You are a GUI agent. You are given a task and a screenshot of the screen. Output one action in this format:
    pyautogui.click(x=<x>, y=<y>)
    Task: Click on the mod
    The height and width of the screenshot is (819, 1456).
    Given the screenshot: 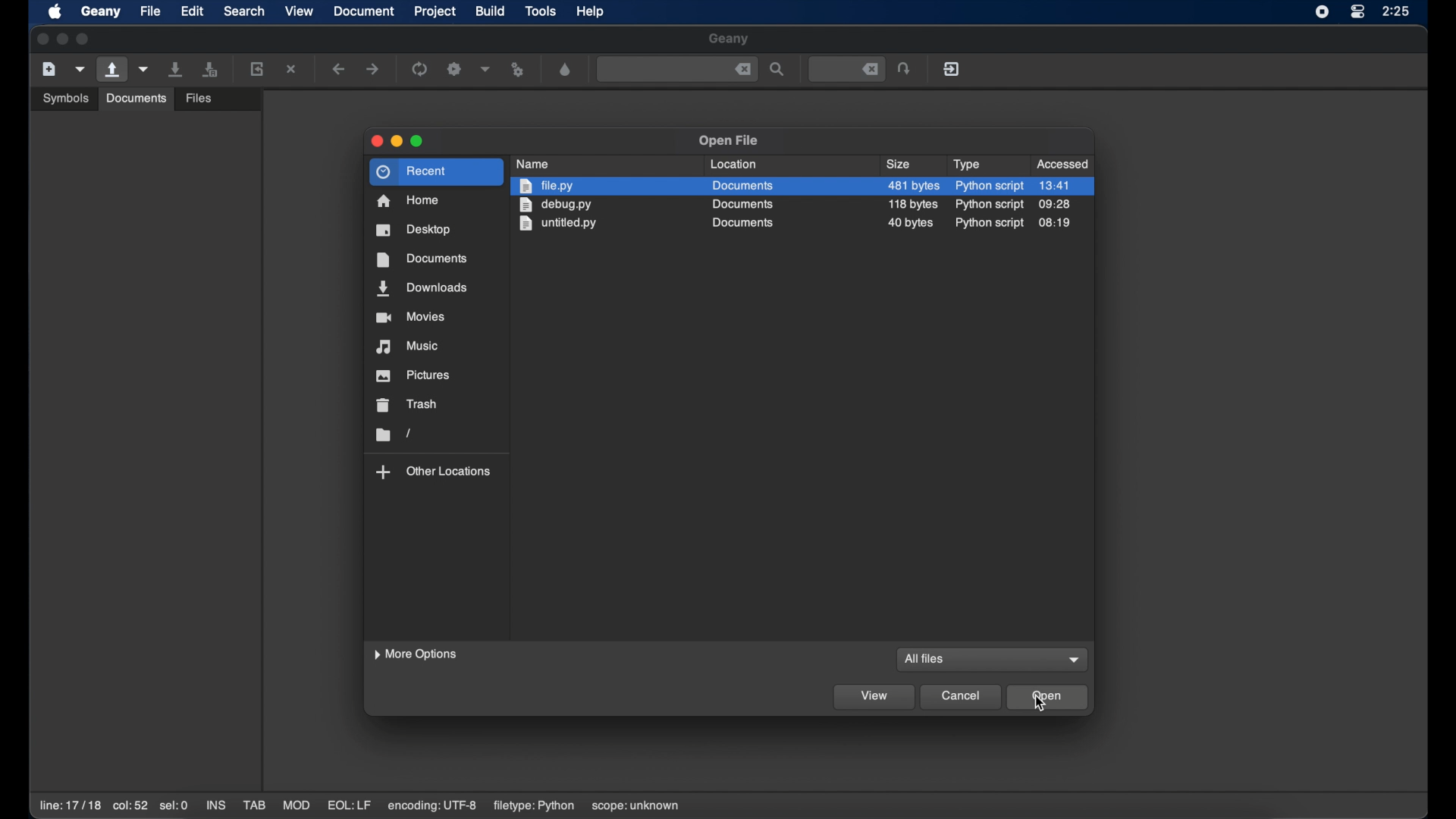 What is the action you would take?
    pyautogui.click(x=297, y=805)
    